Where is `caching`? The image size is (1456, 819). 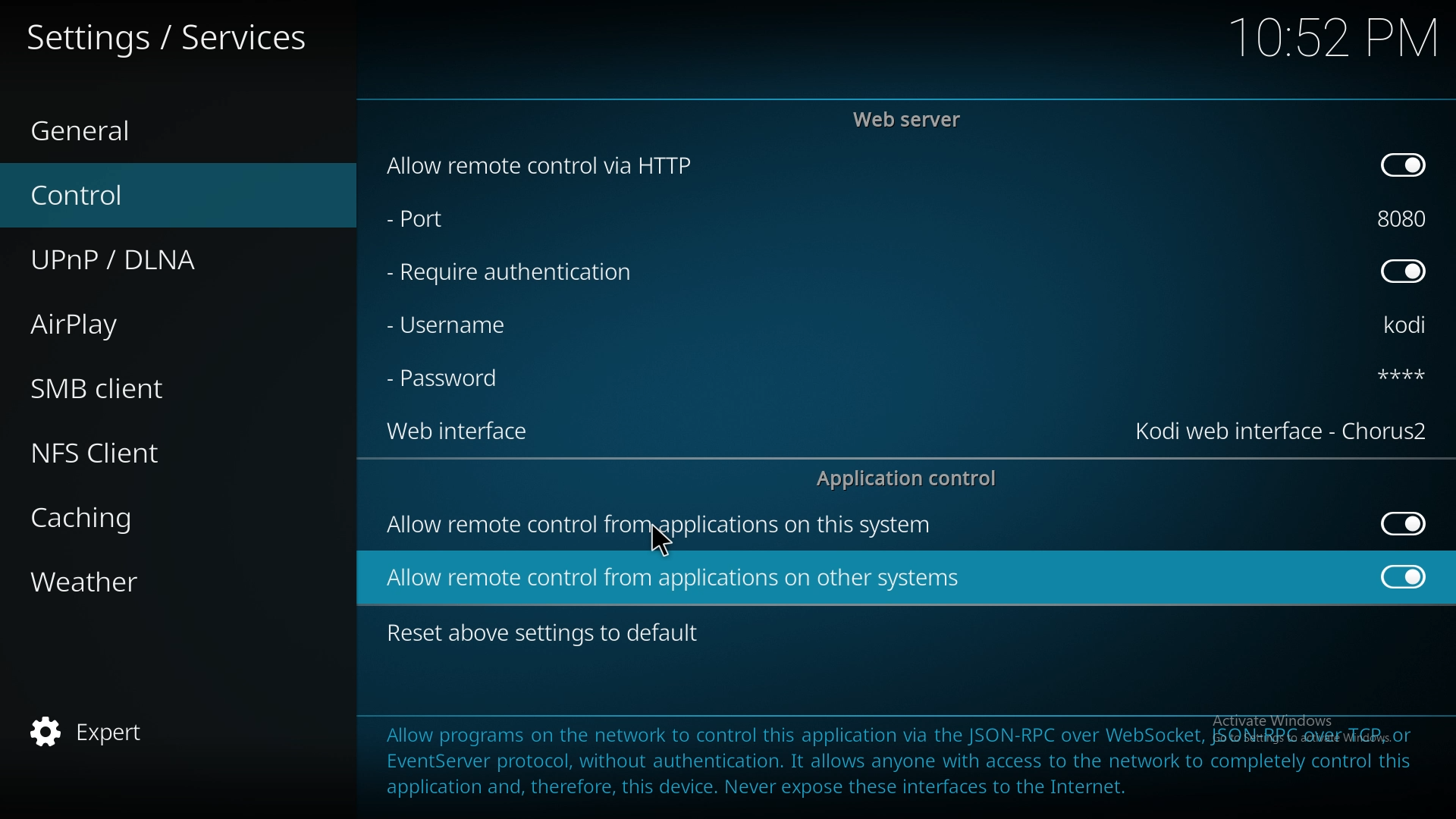
caching is located at coordinates (155, 514).